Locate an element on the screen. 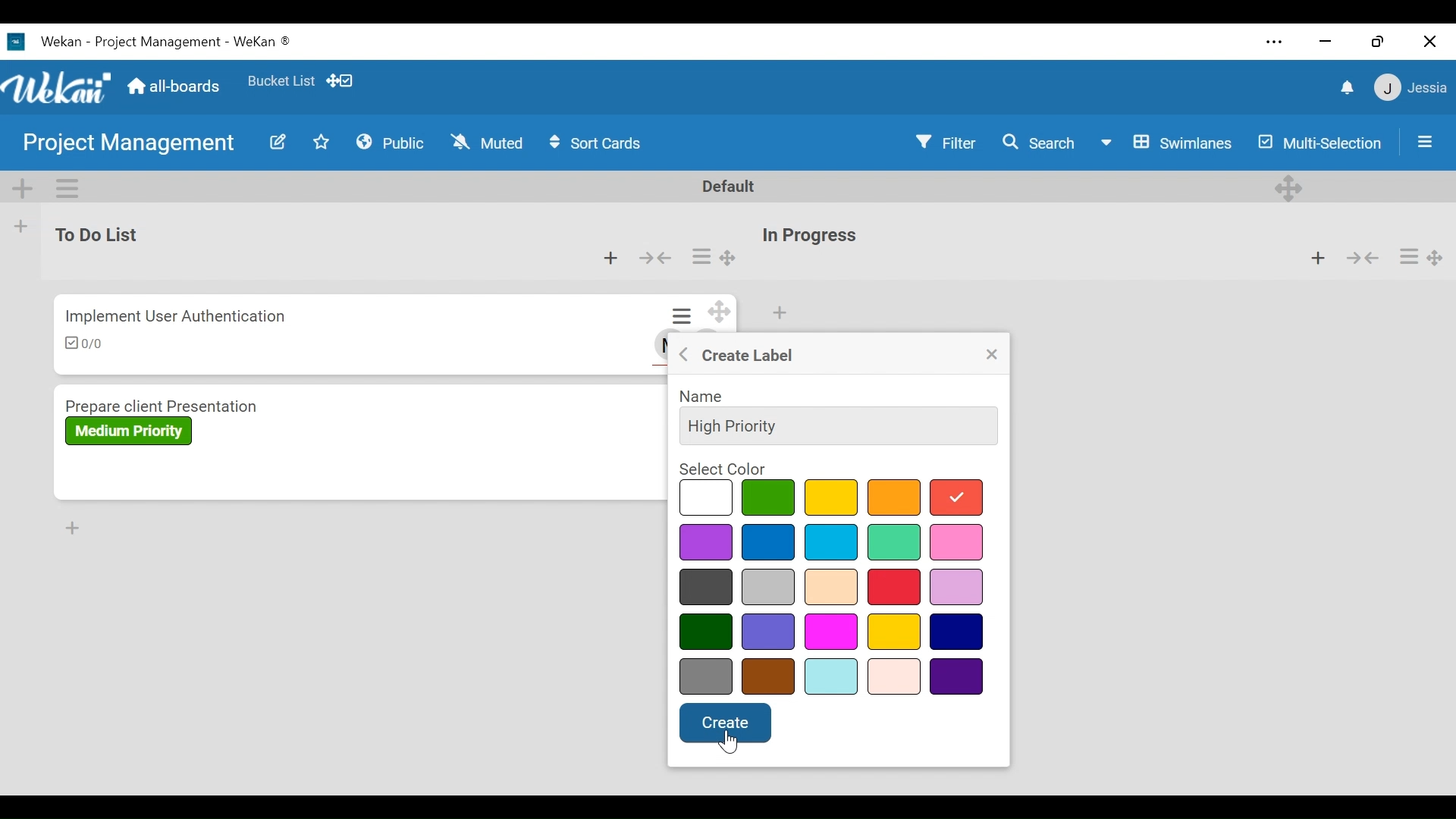  Desktop drag handles is located at coordinates (722, 312).